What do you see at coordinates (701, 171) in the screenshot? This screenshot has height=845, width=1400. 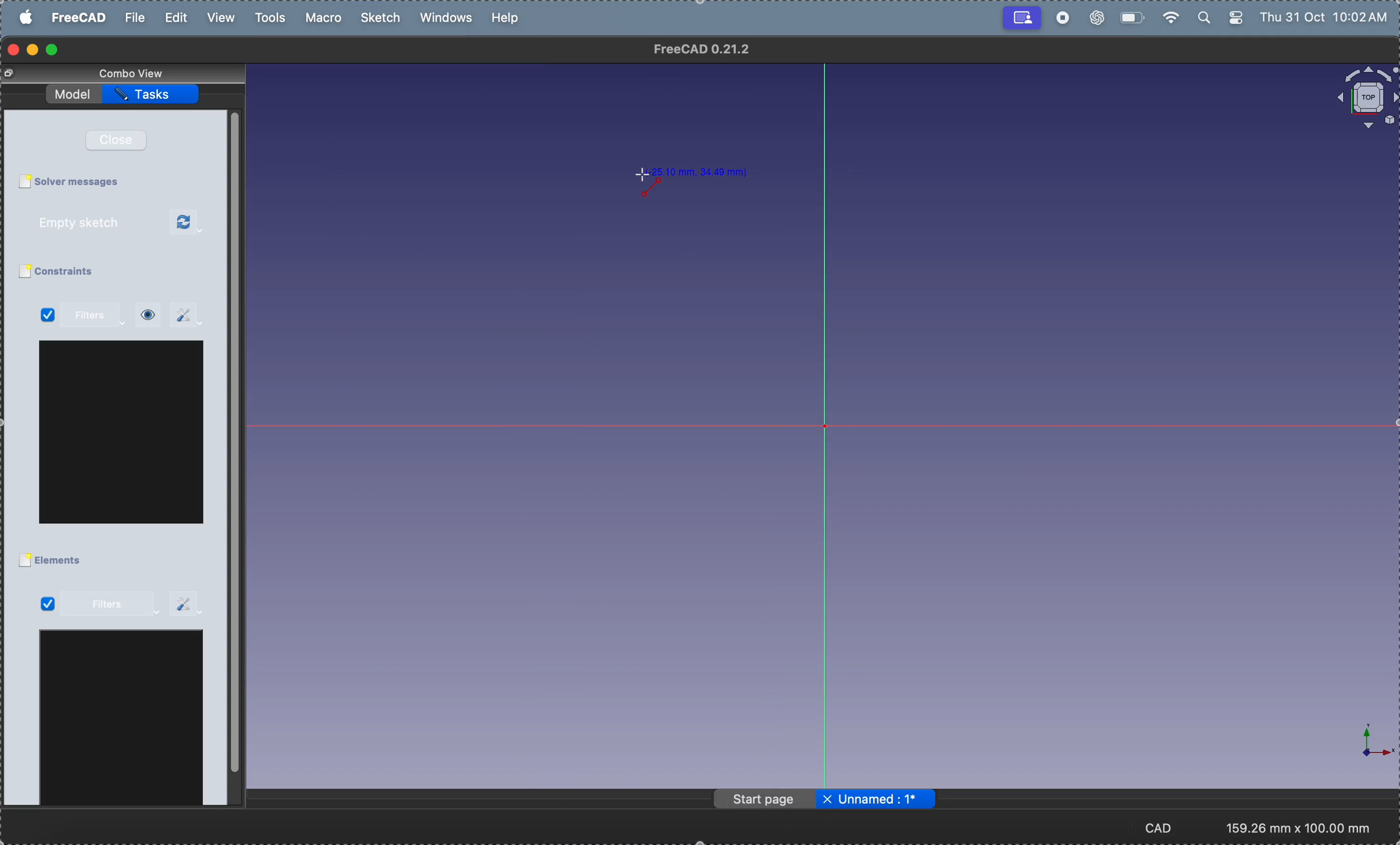 I see `(25.10 mm, 84.49 mm)` at bounding box center [701, 171].